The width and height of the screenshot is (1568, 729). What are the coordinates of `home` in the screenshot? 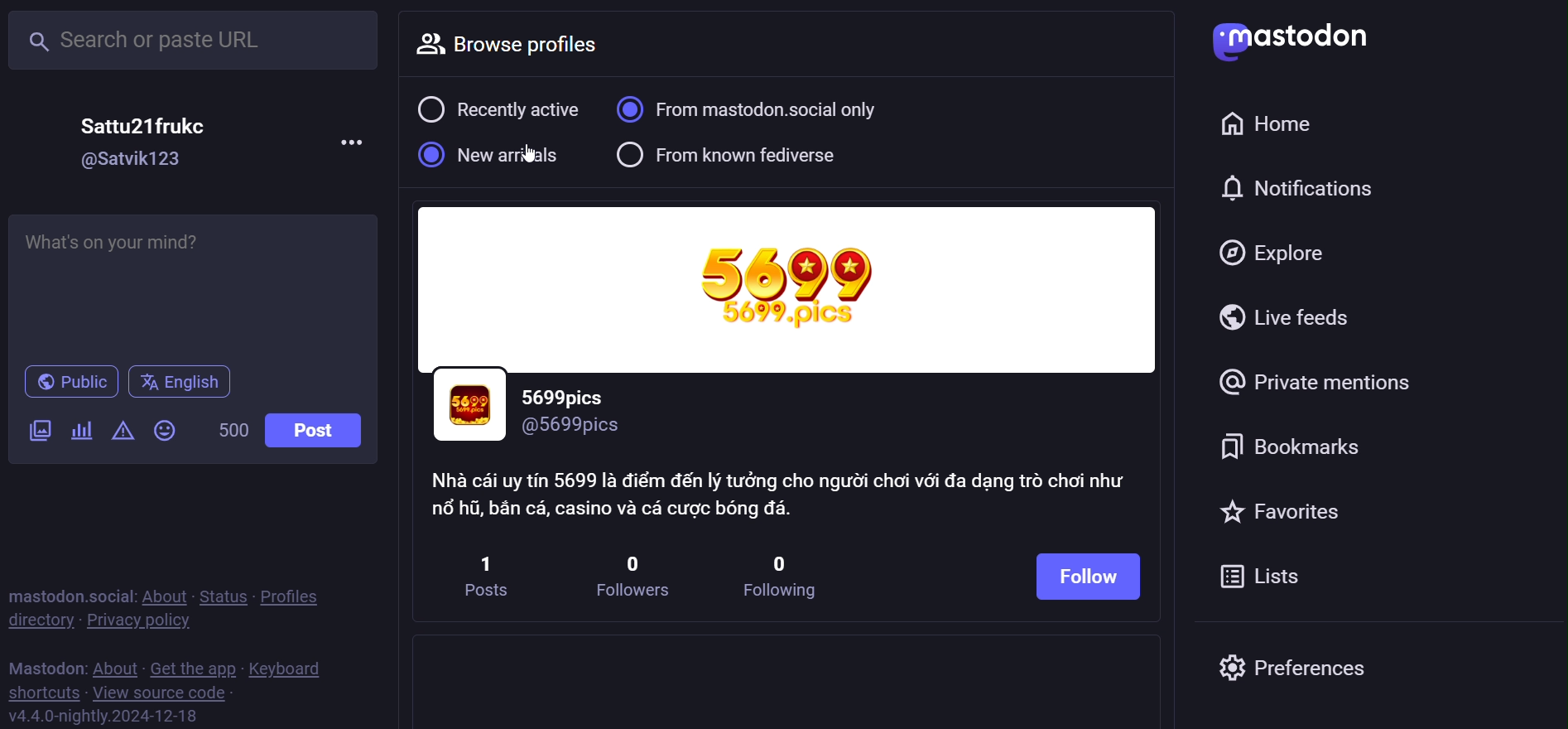 It's located at (1275, 120).